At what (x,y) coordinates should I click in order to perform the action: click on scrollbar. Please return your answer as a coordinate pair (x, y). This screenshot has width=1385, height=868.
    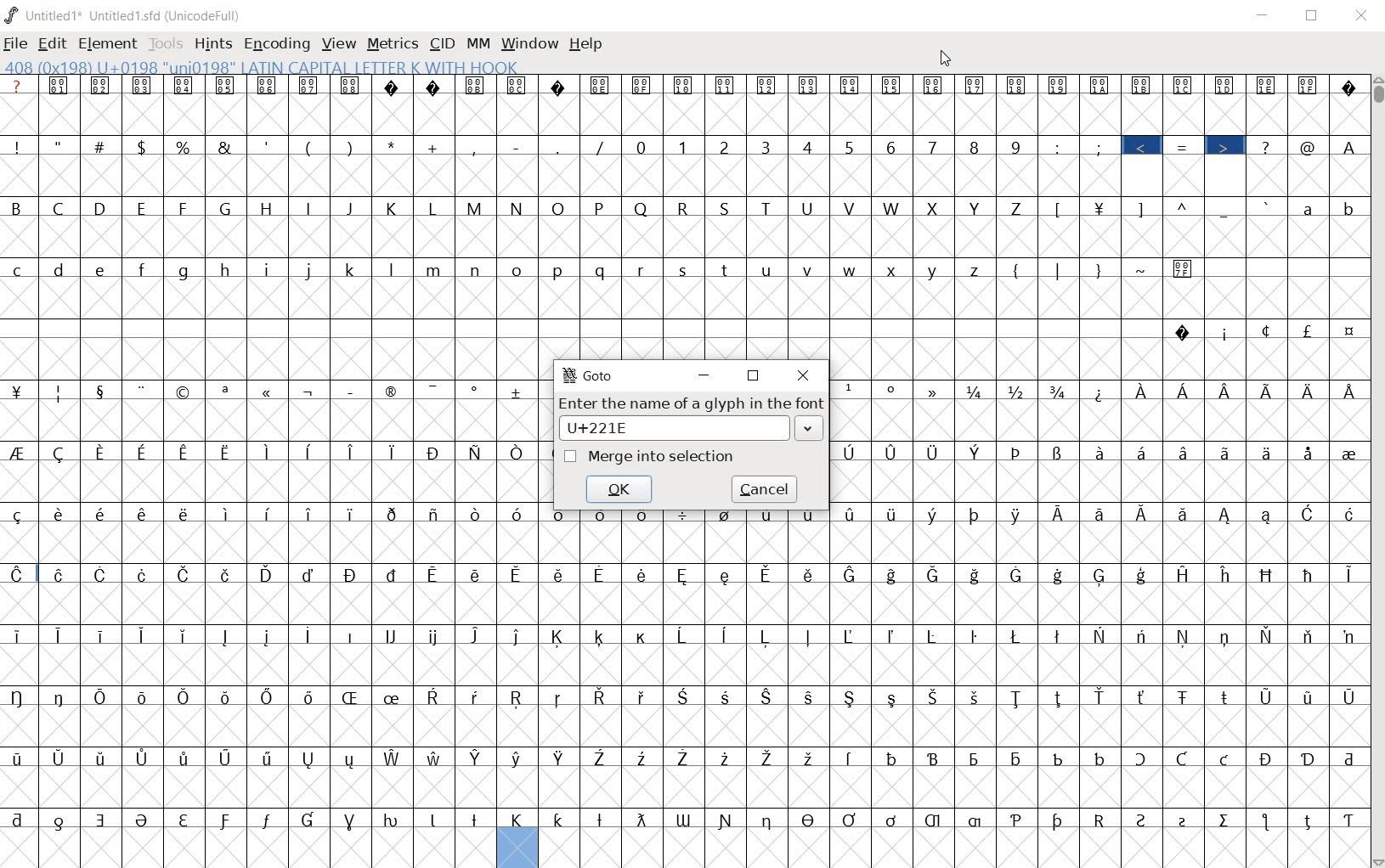
    Looking at the image, I should click on (1377, 470).